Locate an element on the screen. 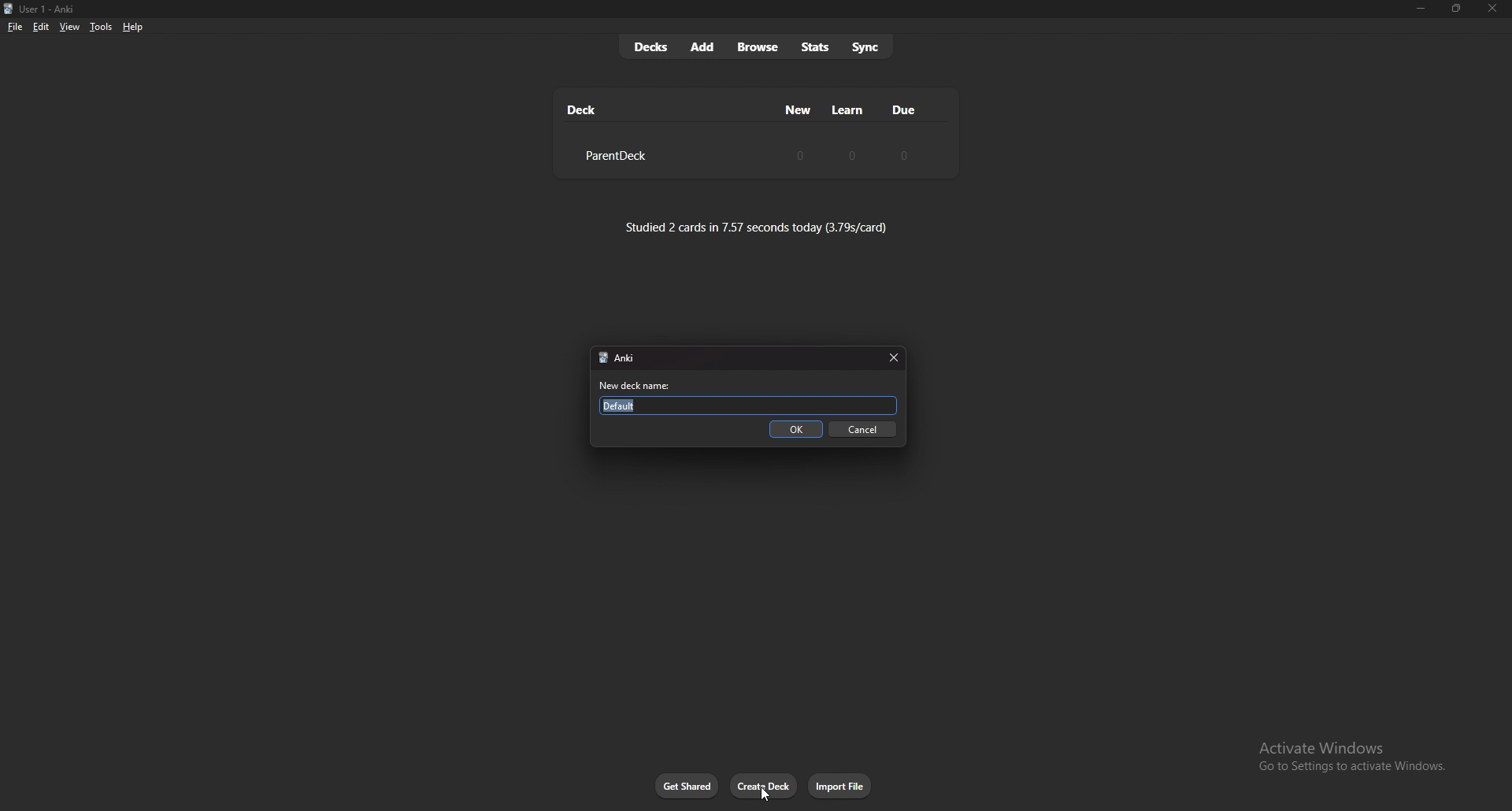 The image size is (1512, 811). Default is located at coordinates (750, 405).